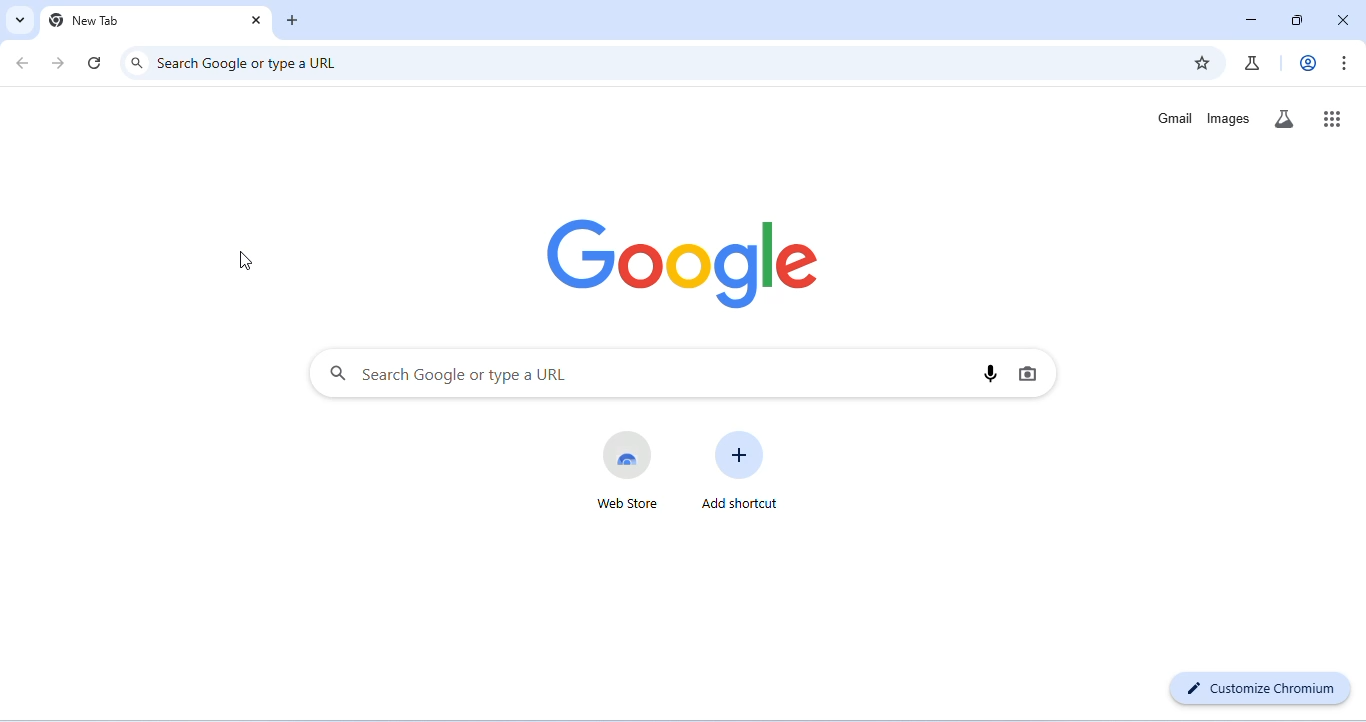 This screenshot has width=1366, height=722. I want to click on add new tab, so click(295, 21).